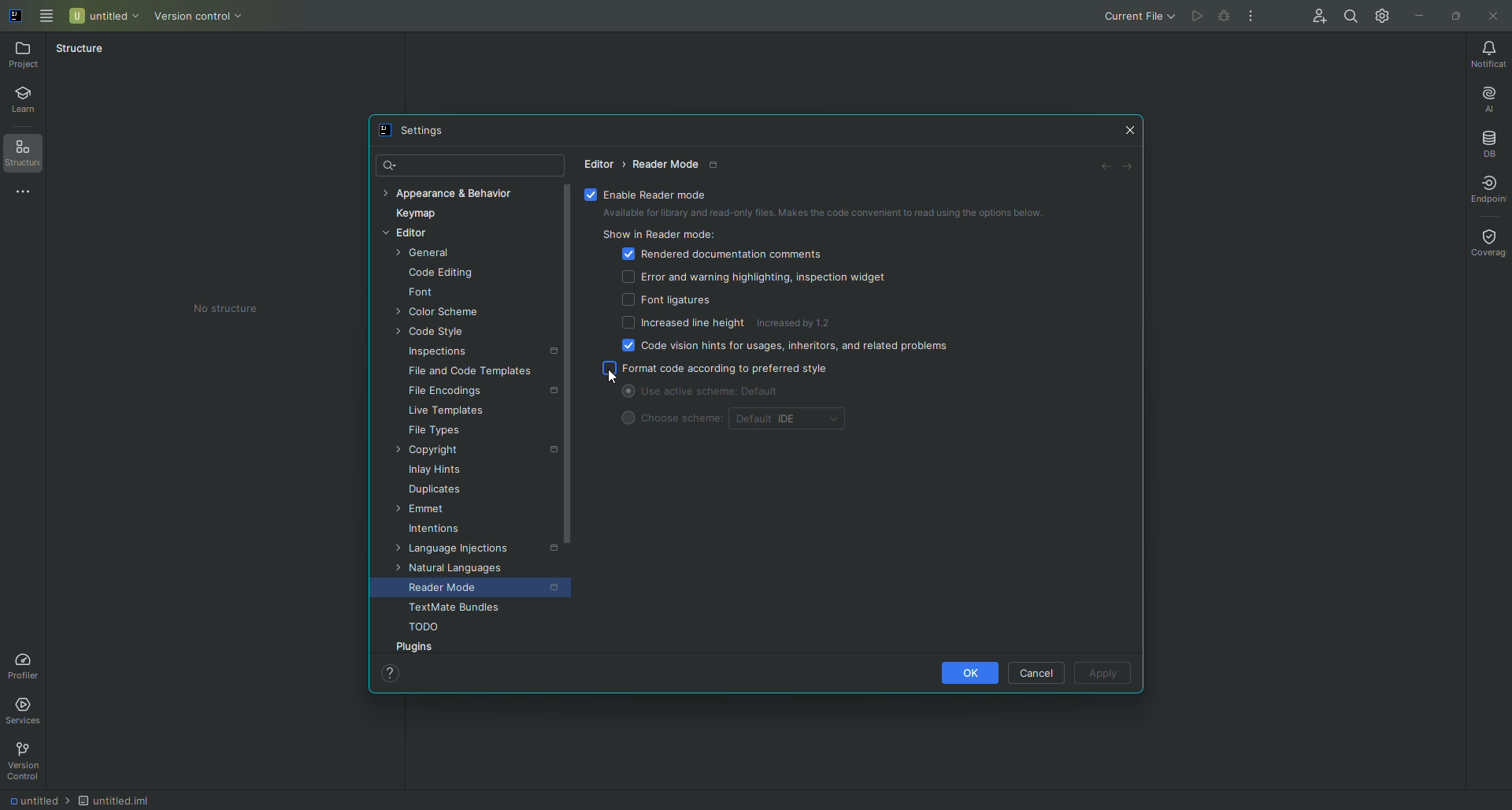 The height and width of the screenshot is (810, 1512). Describe the element at coordinates (227, 310) in the screenshot. I see `No structure` at that location.